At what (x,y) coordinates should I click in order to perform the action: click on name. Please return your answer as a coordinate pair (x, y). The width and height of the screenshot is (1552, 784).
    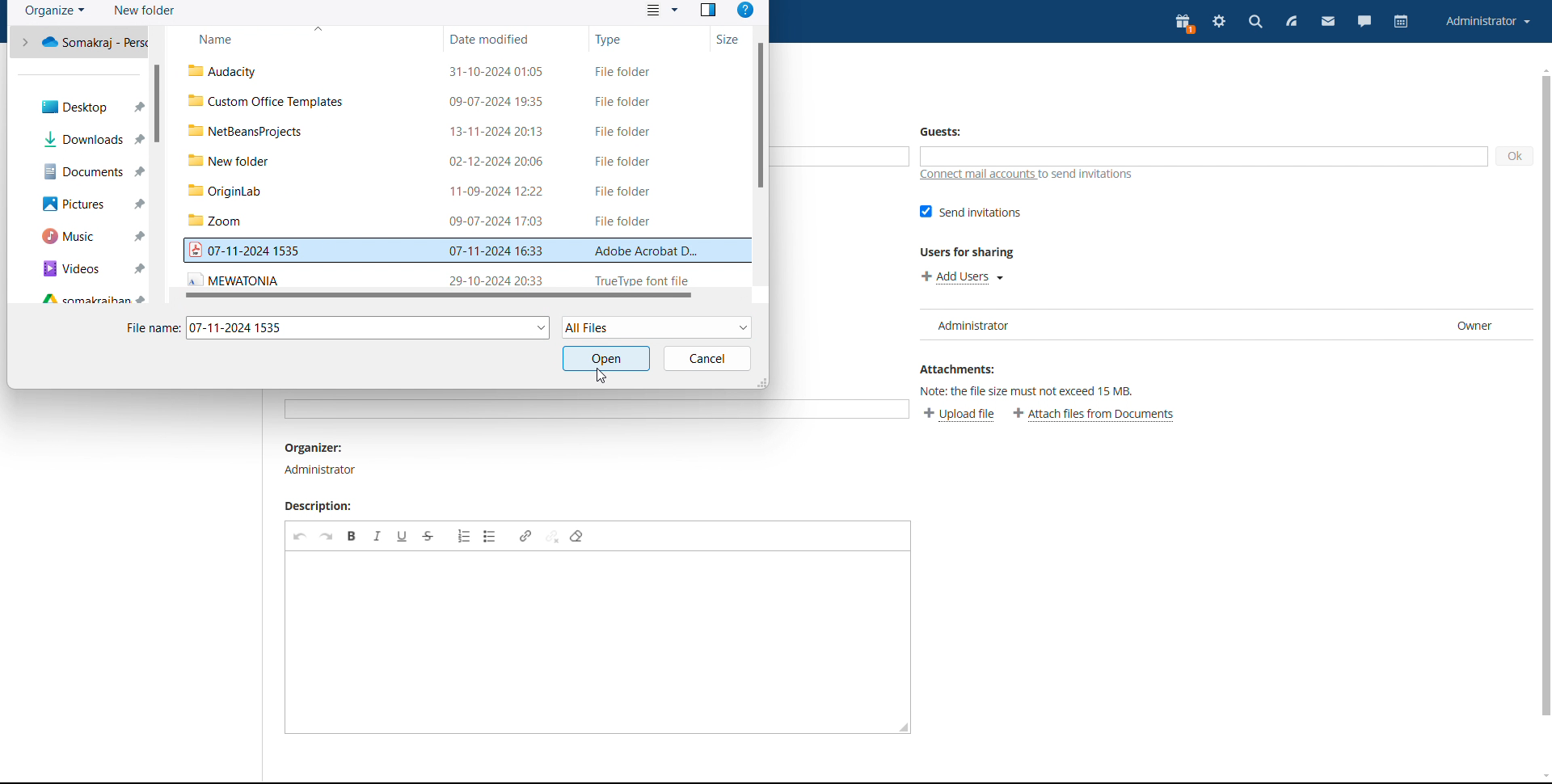
    Looking at the image, I should click on (302, 37).